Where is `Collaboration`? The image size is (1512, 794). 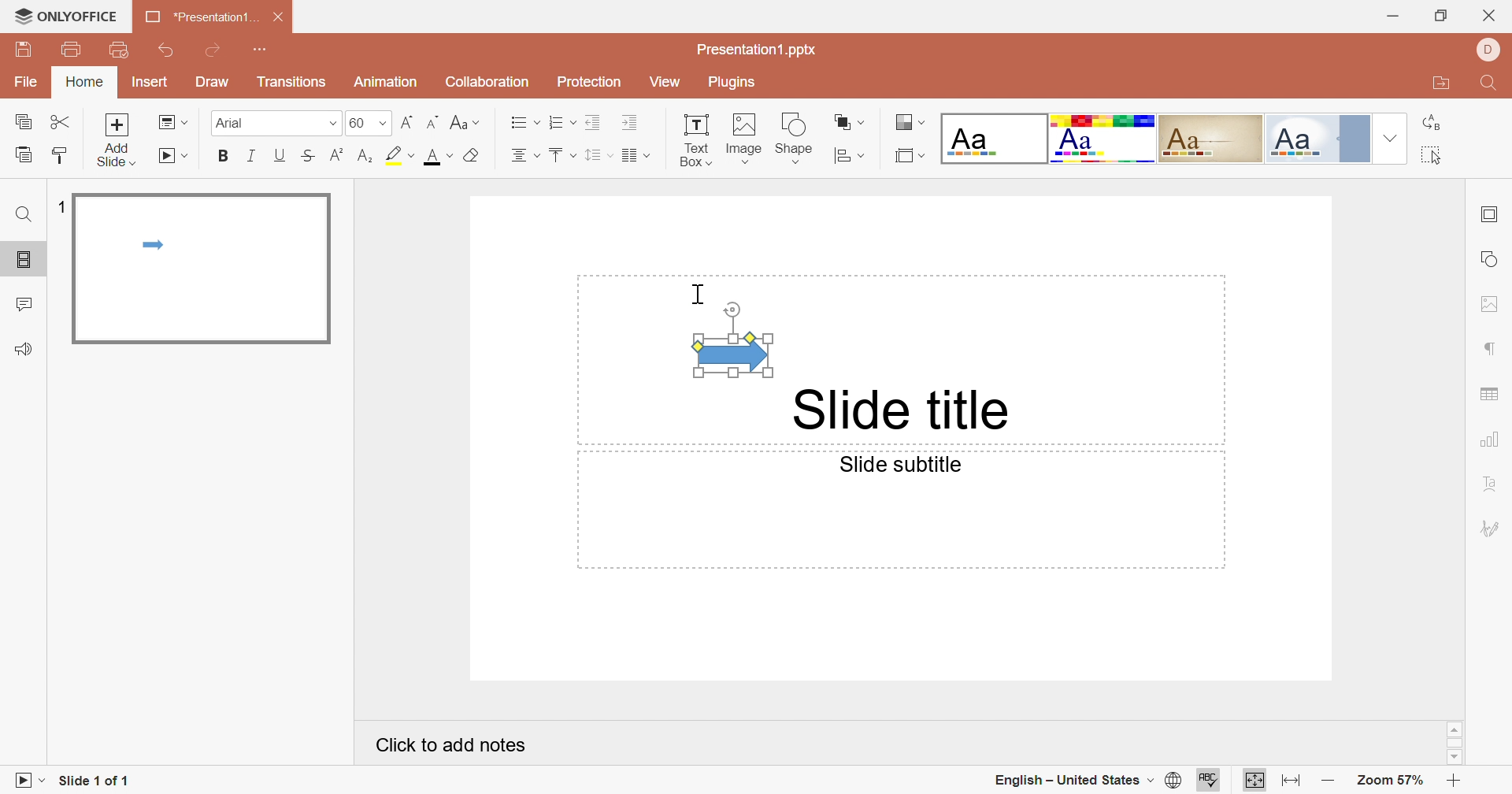 Collaboration is located at coordinates (483, 82).